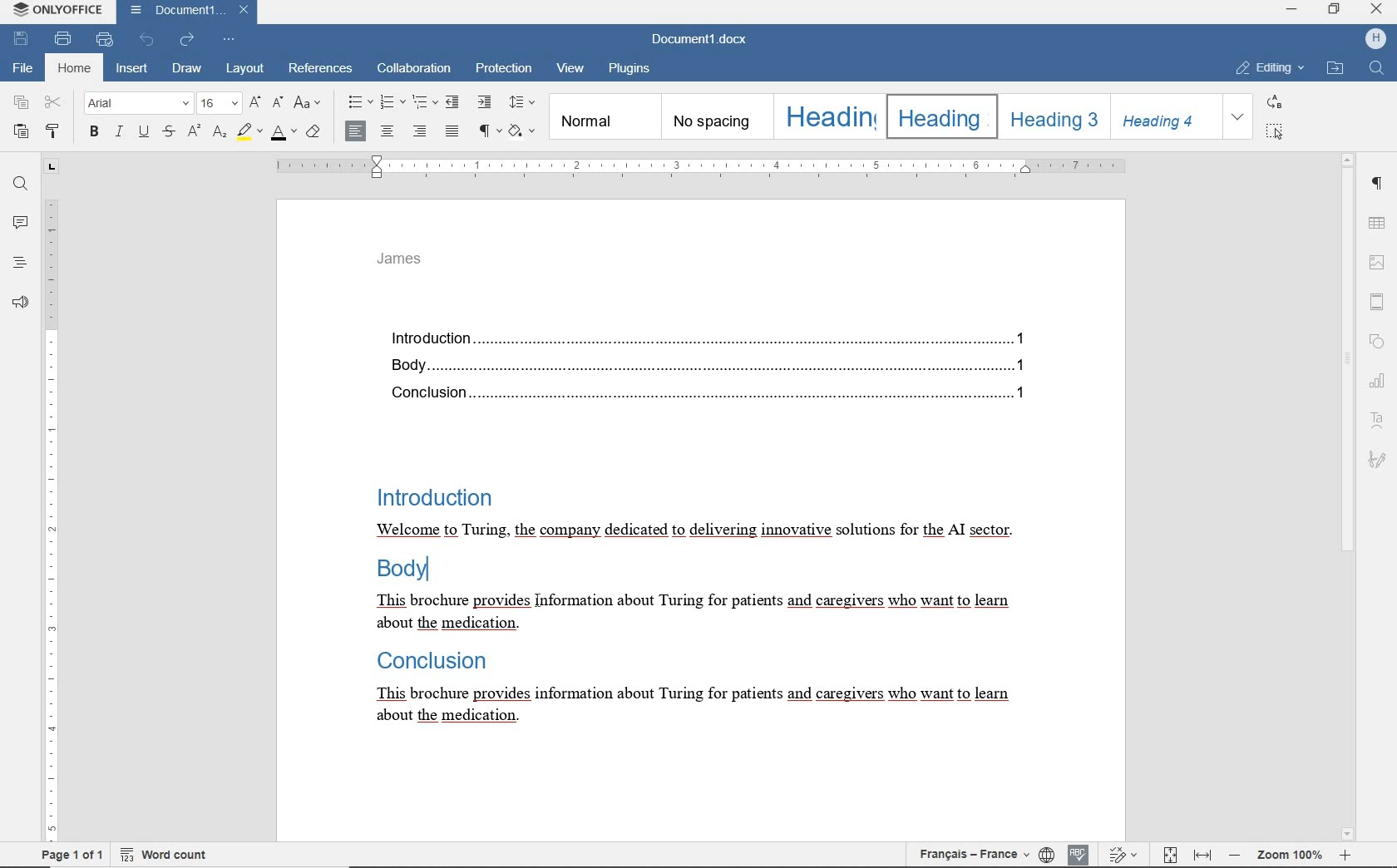 This screenshot has width=1397, height=868. What do you see at coordinates (322, 70) in the screenshot?
I see `REFERENCES` at bounding box center [322, 70].